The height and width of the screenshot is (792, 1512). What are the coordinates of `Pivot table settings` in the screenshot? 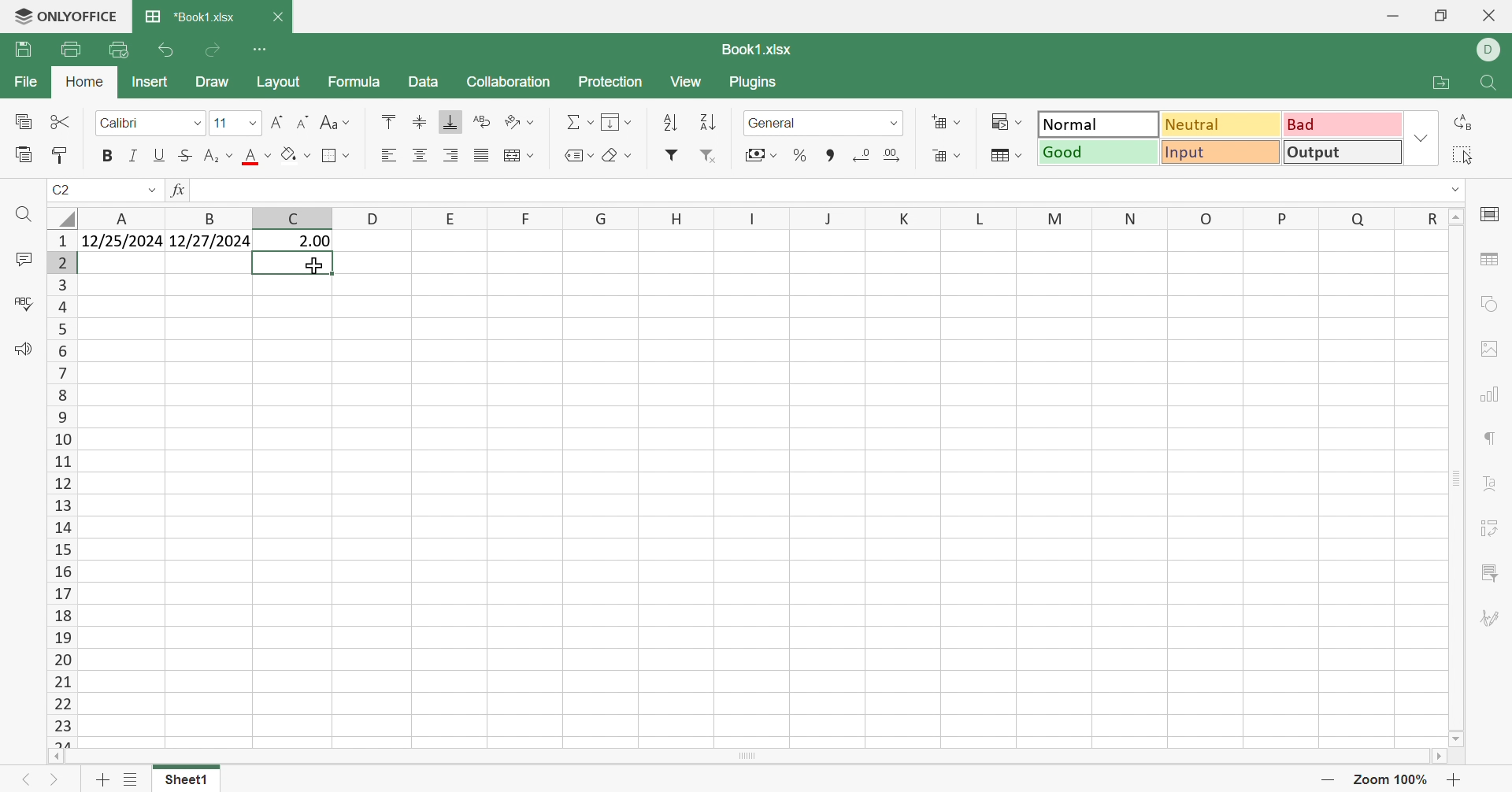 It's located at (1486, 531).